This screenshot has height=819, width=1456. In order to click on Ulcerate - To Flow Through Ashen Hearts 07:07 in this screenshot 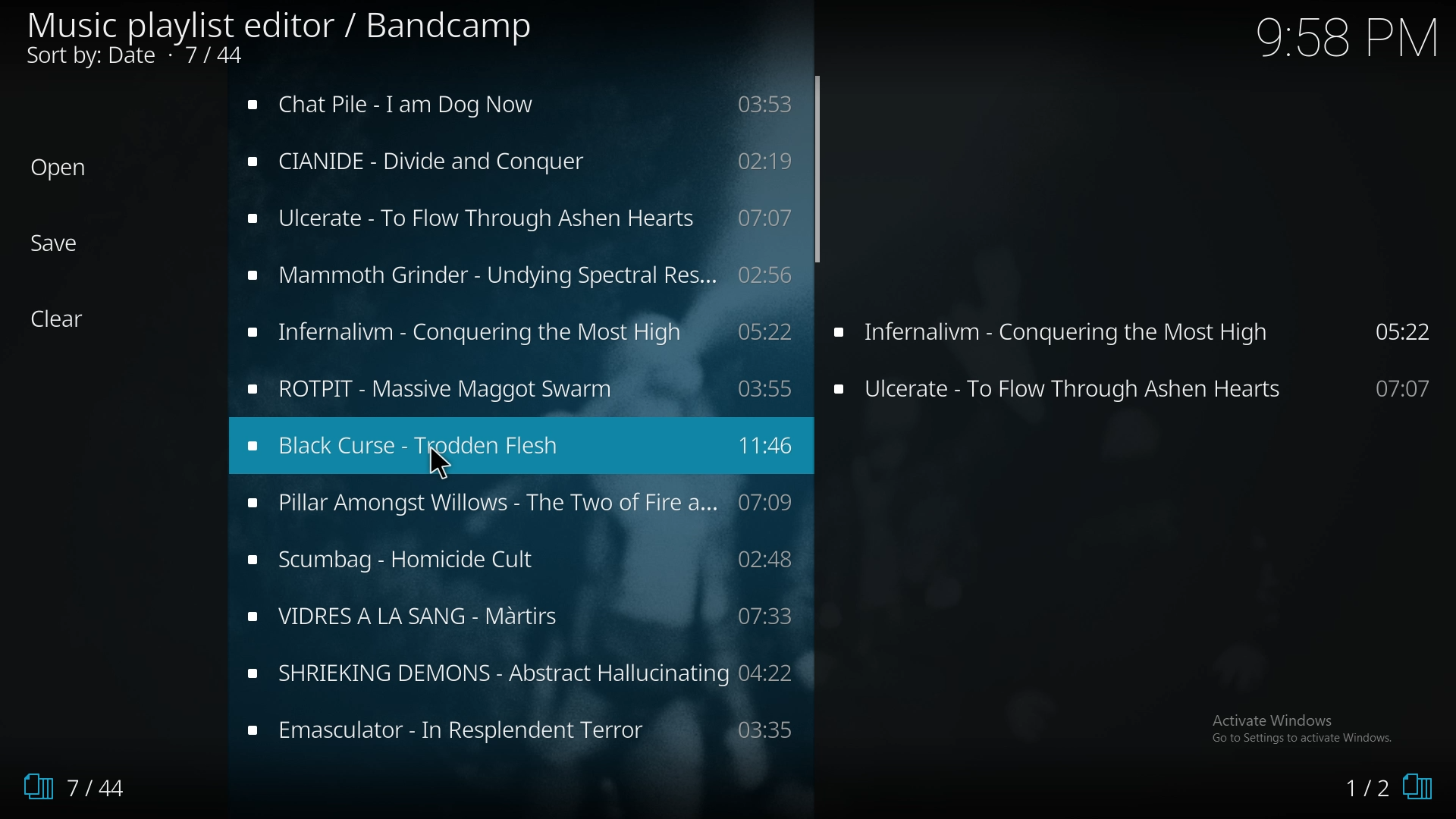, I will do `click(1137, 391)`.